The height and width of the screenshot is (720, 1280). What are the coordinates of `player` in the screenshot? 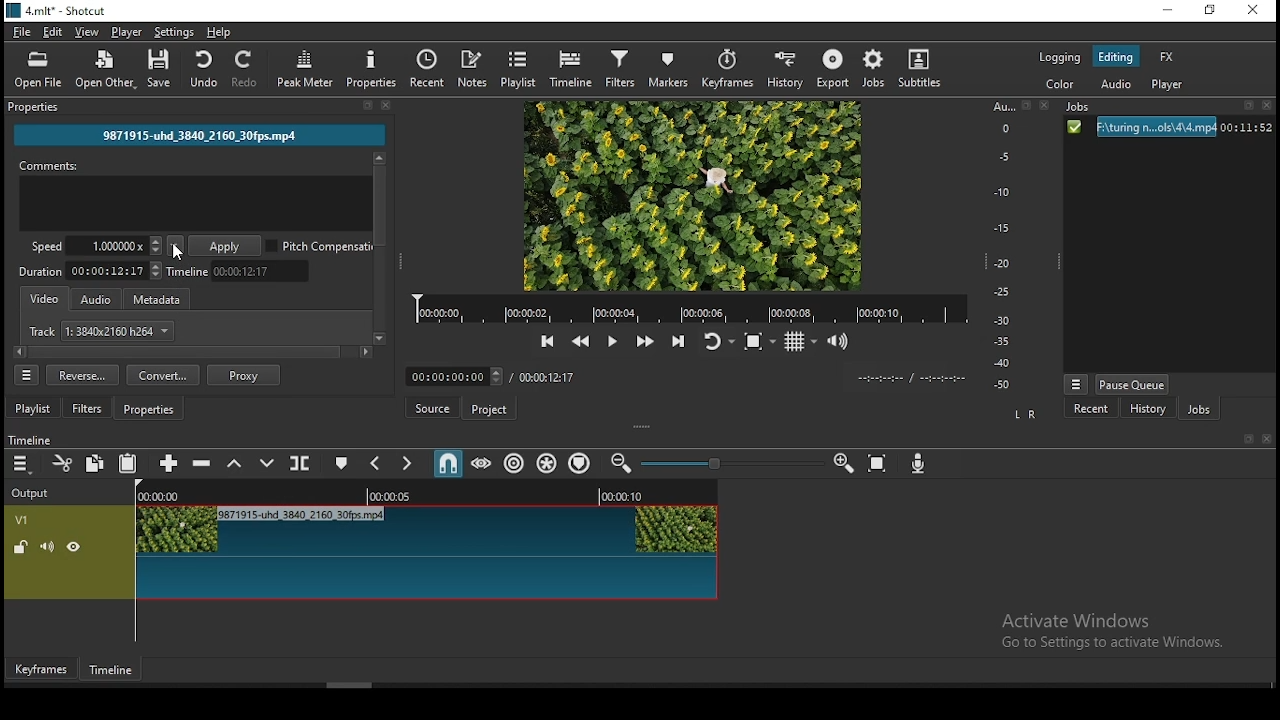 It's located at (1168, 85).